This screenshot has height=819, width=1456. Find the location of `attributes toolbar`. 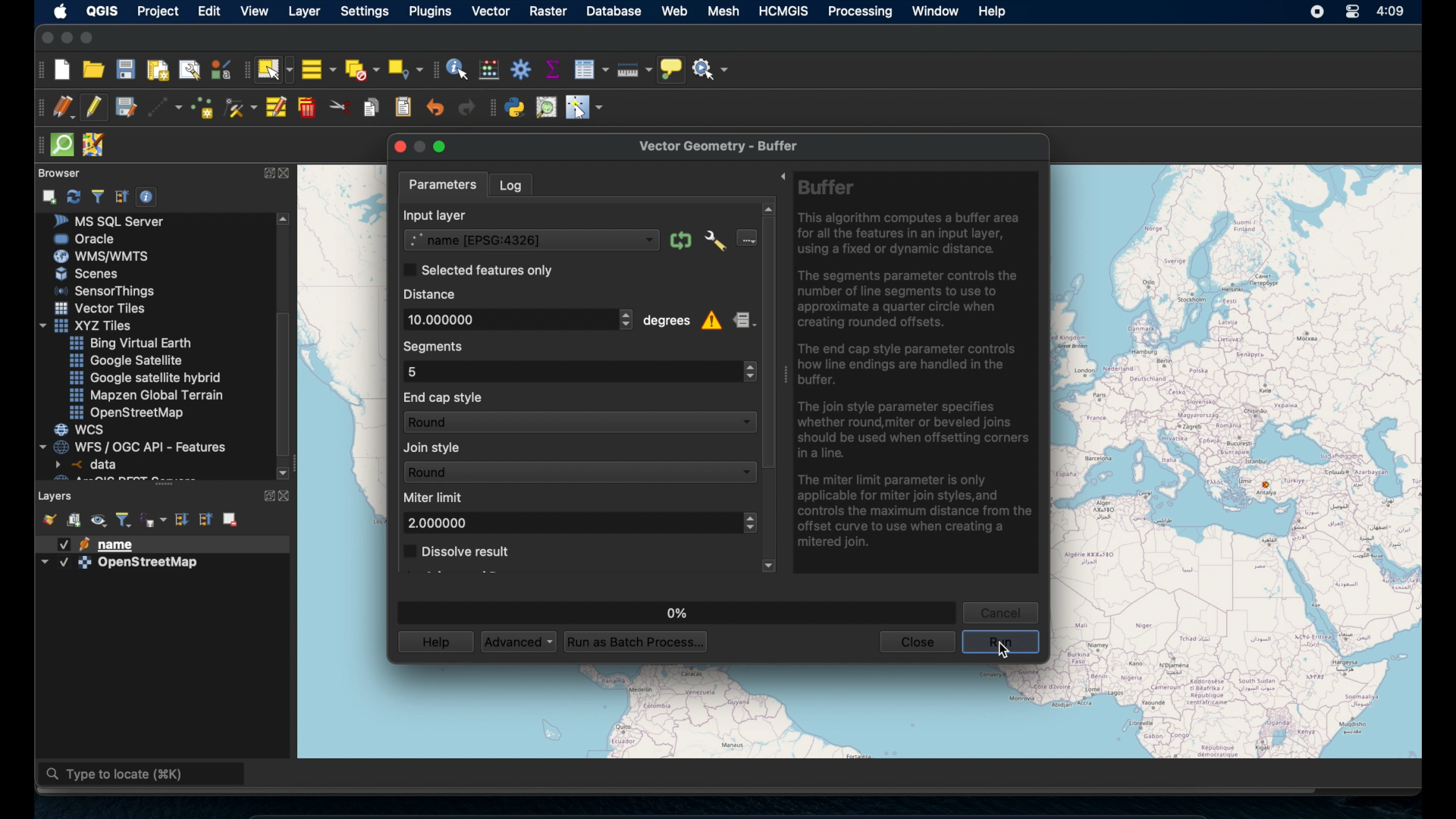

attributes toolbar is located at coordinates (435, 68).